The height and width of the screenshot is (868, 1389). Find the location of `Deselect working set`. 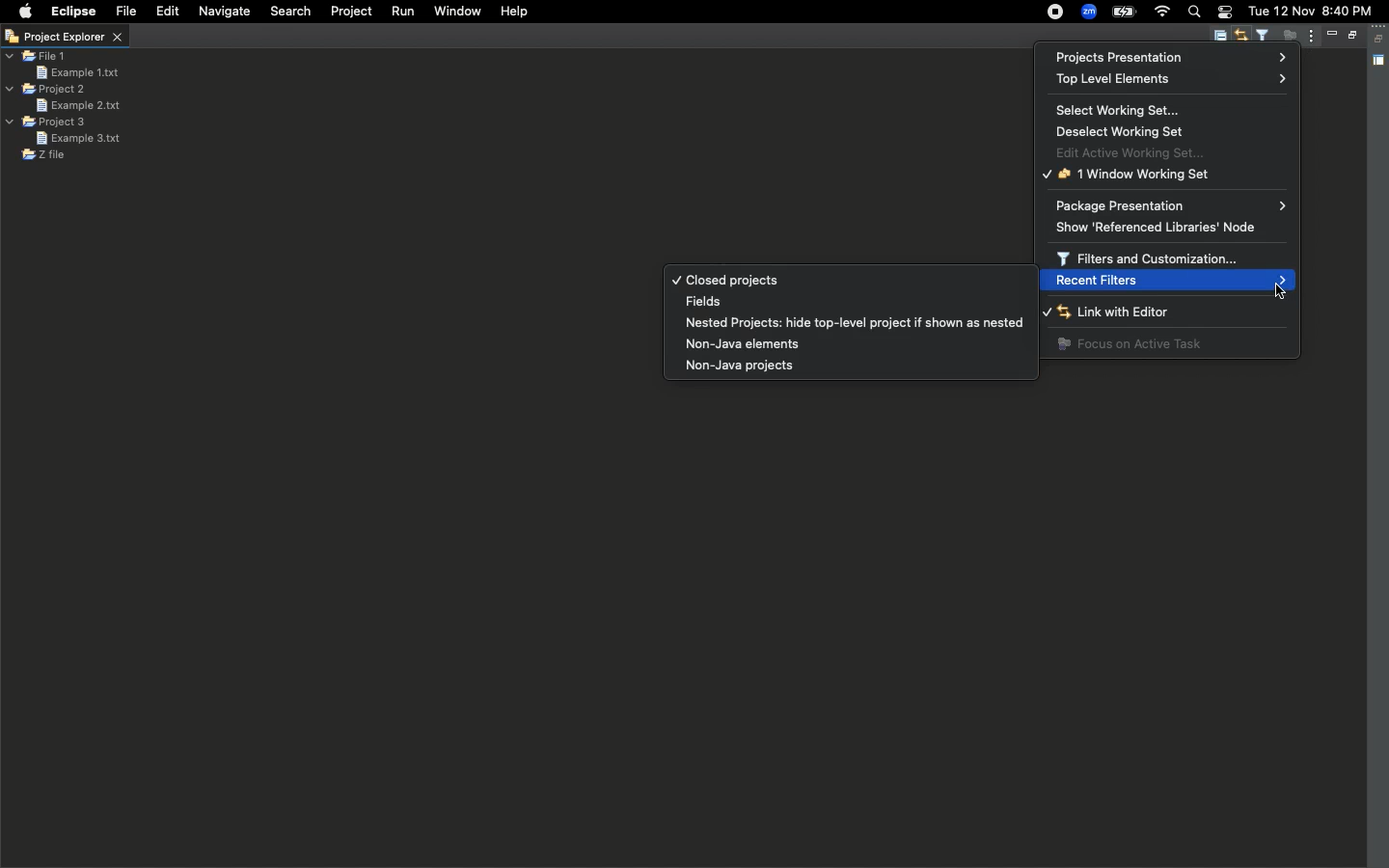

Deselect working set is located at coordinates (1129, 131).